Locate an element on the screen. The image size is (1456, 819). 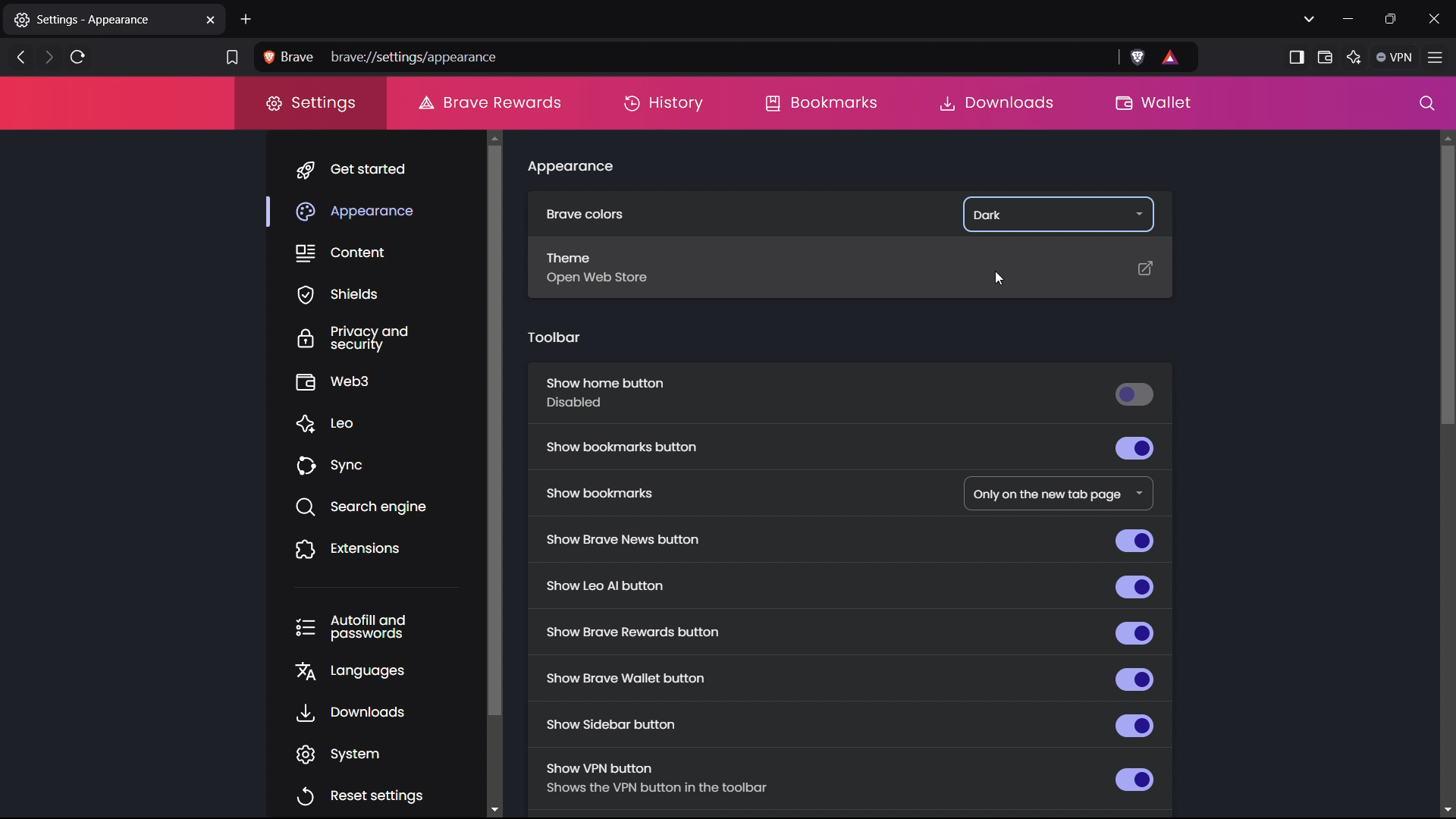
get started is located at coordinates (384, 167).